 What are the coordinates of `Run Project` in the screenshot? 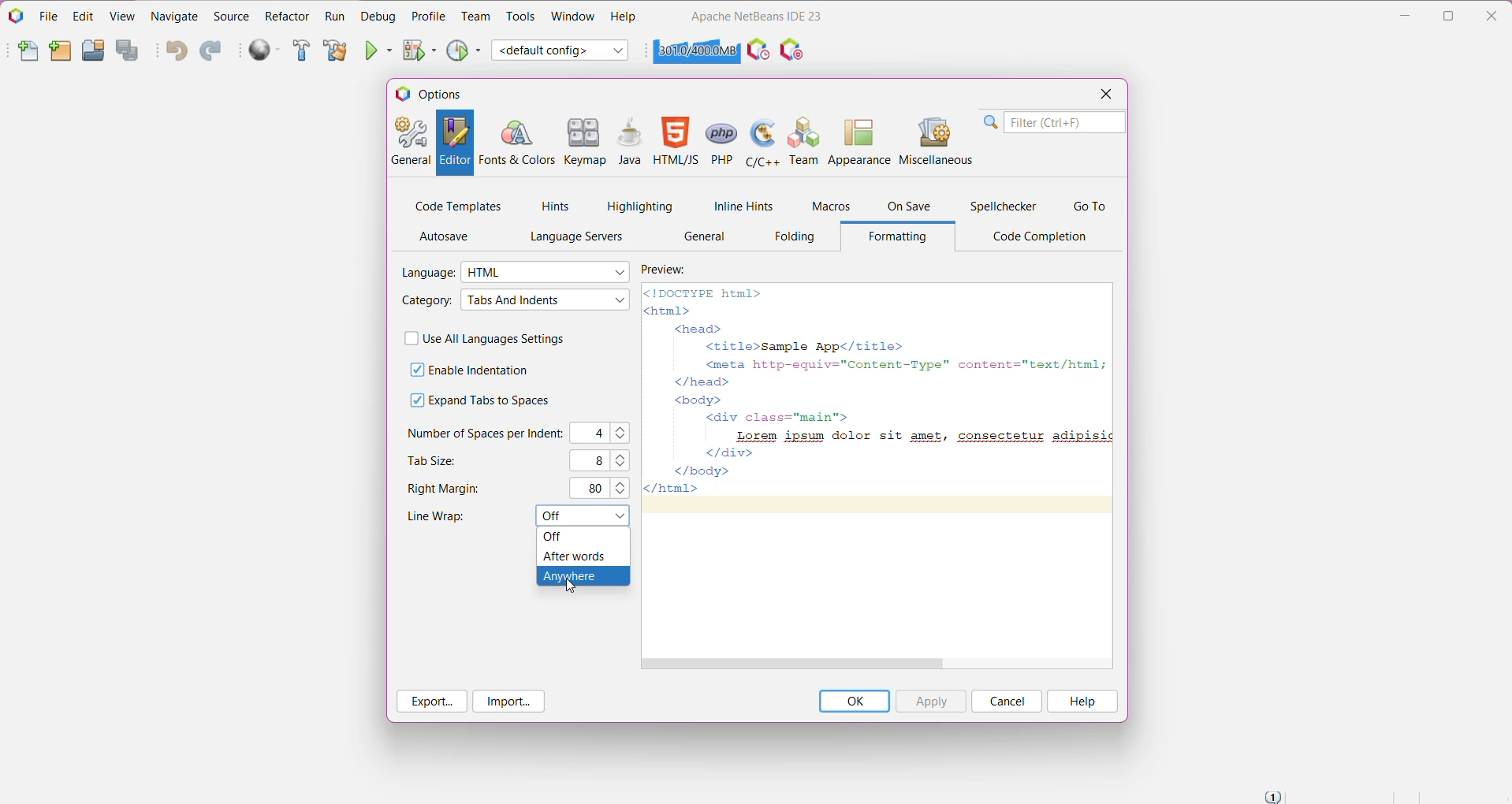 It's located at (380, 50).